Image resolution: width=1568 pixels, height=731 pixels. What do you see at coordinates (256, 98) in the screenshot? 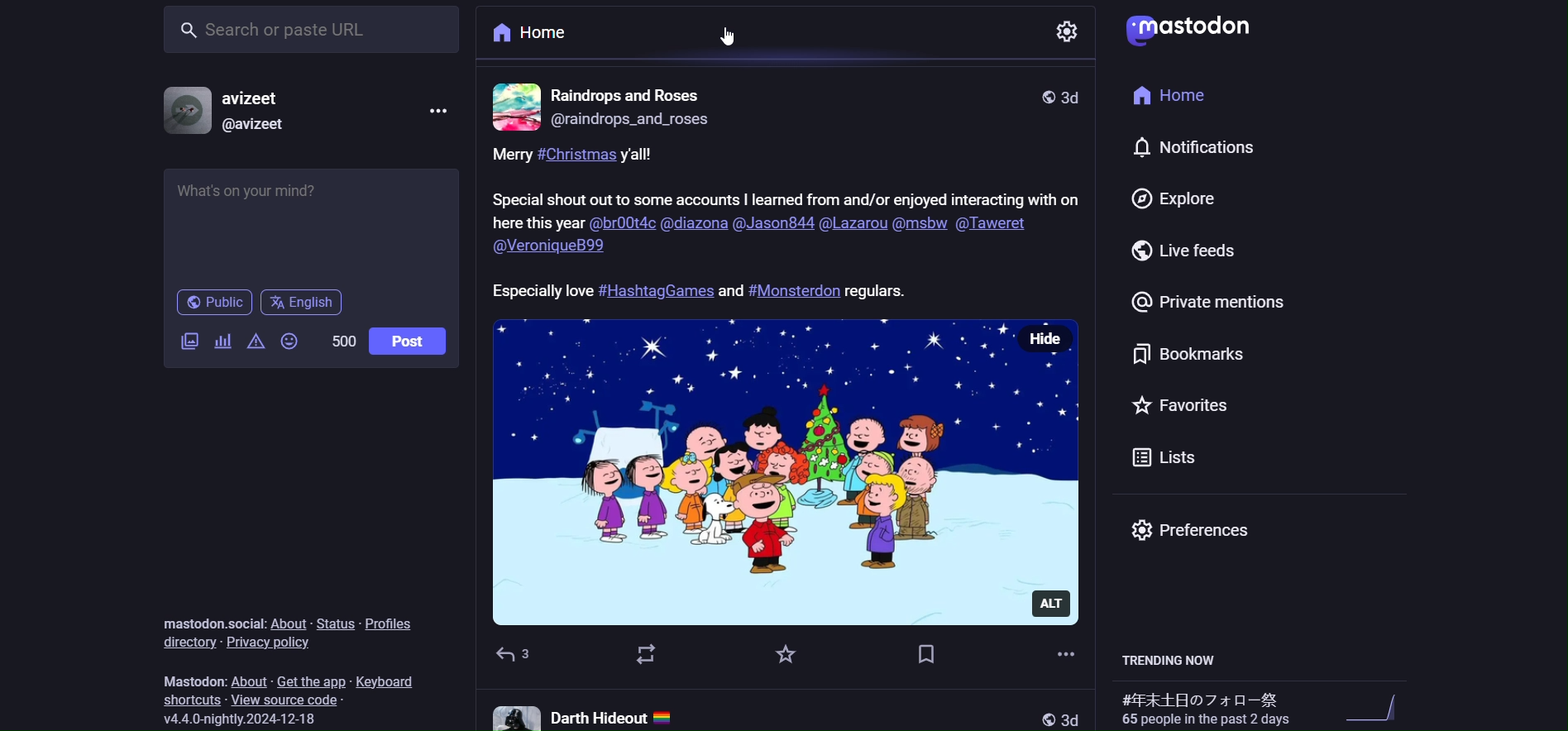
I see `name` at bounding box center [256, 98].